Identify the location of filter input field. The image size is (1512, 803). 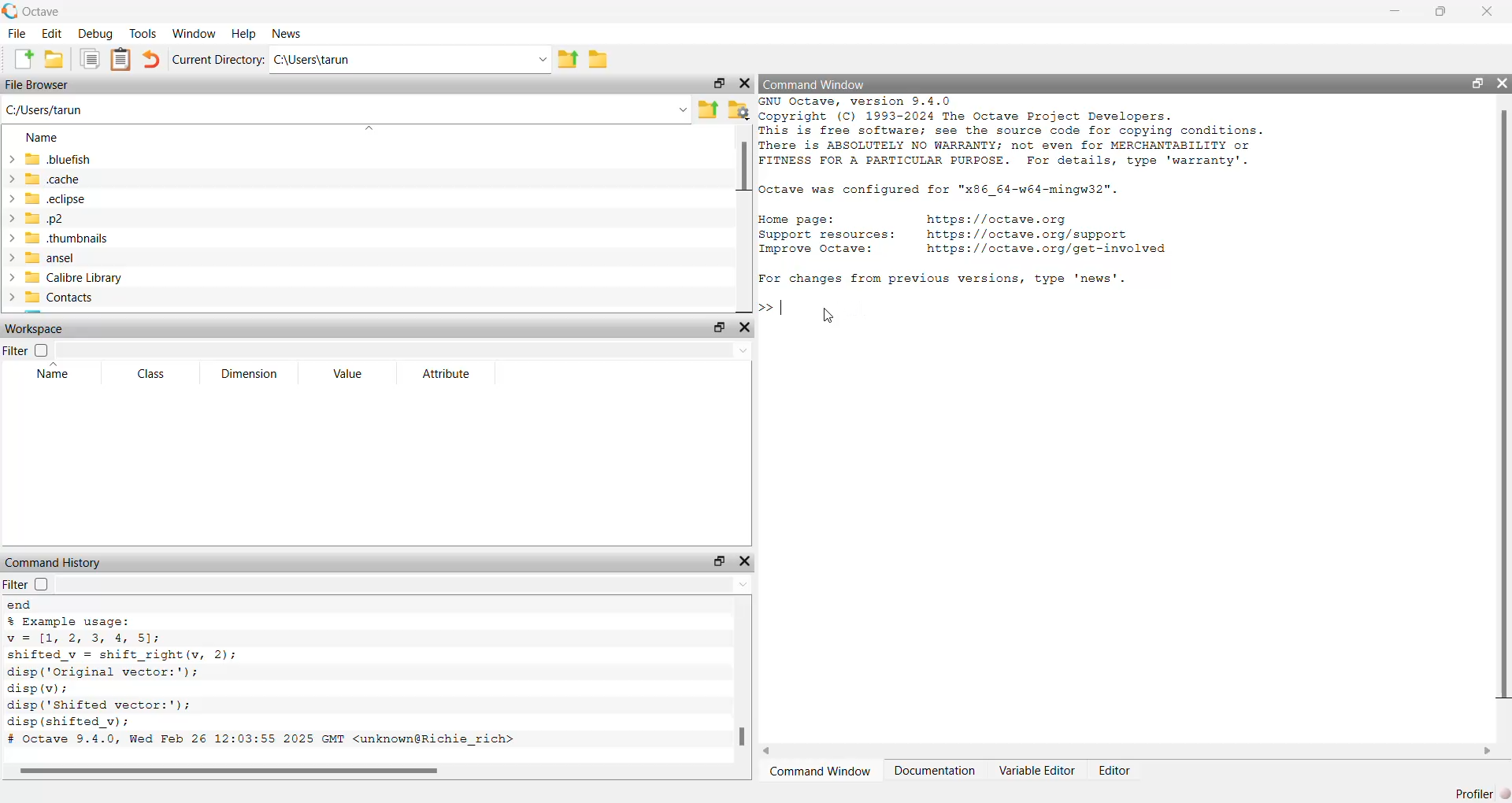
(408, 348).